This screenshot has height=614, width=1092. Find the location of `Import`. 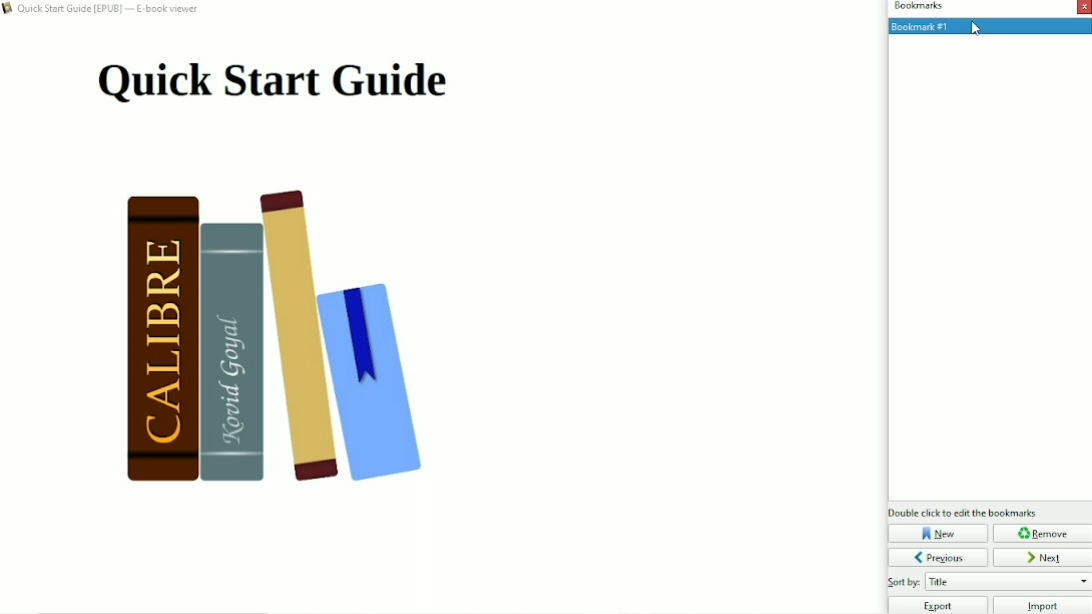

Import is located at coordinates (1043, 605).